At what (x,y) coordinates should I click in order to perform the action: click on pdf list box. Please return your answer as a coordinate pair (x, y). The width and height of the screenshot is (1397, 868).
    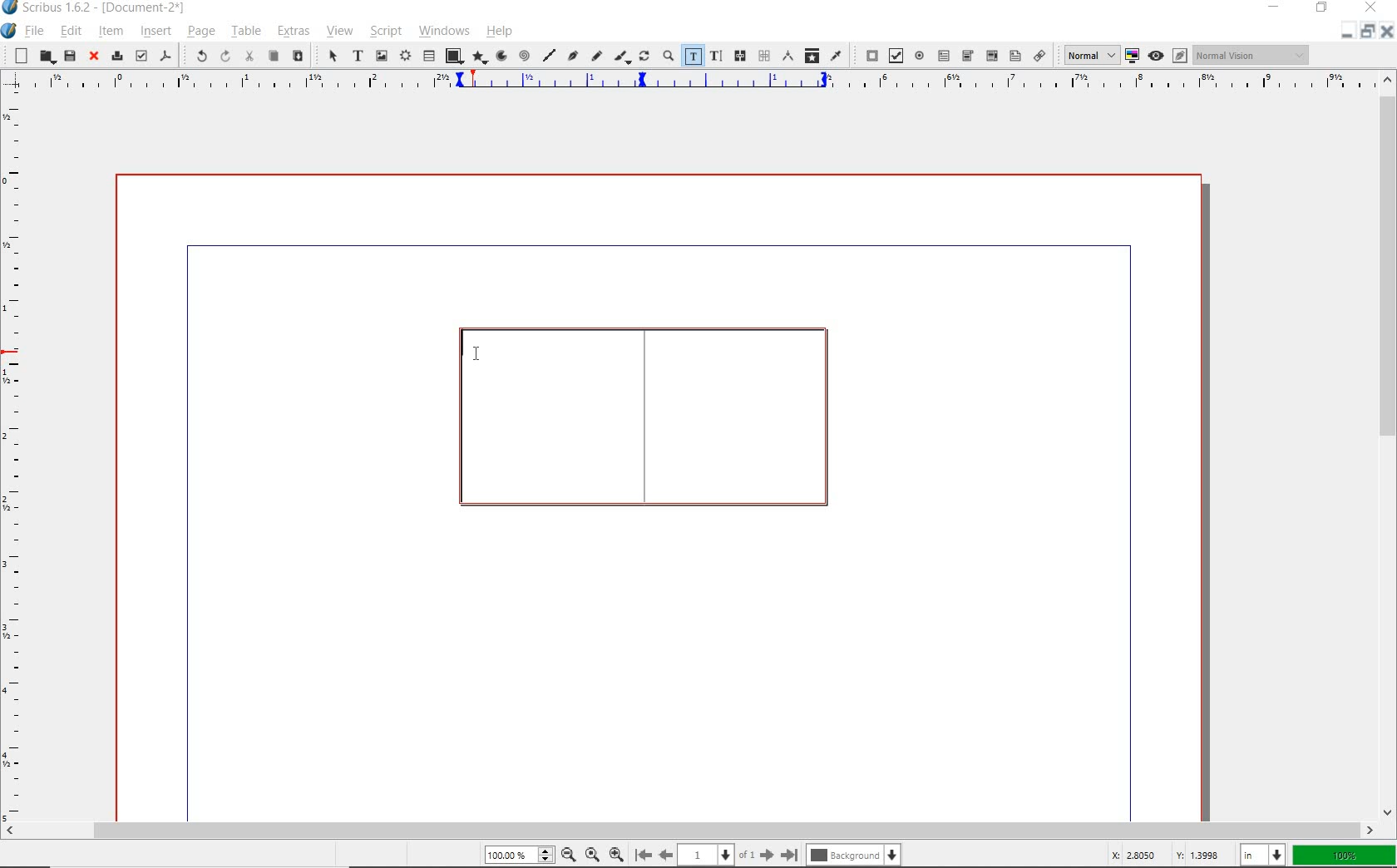
    Looking at the image, I should click on (1014, 55).